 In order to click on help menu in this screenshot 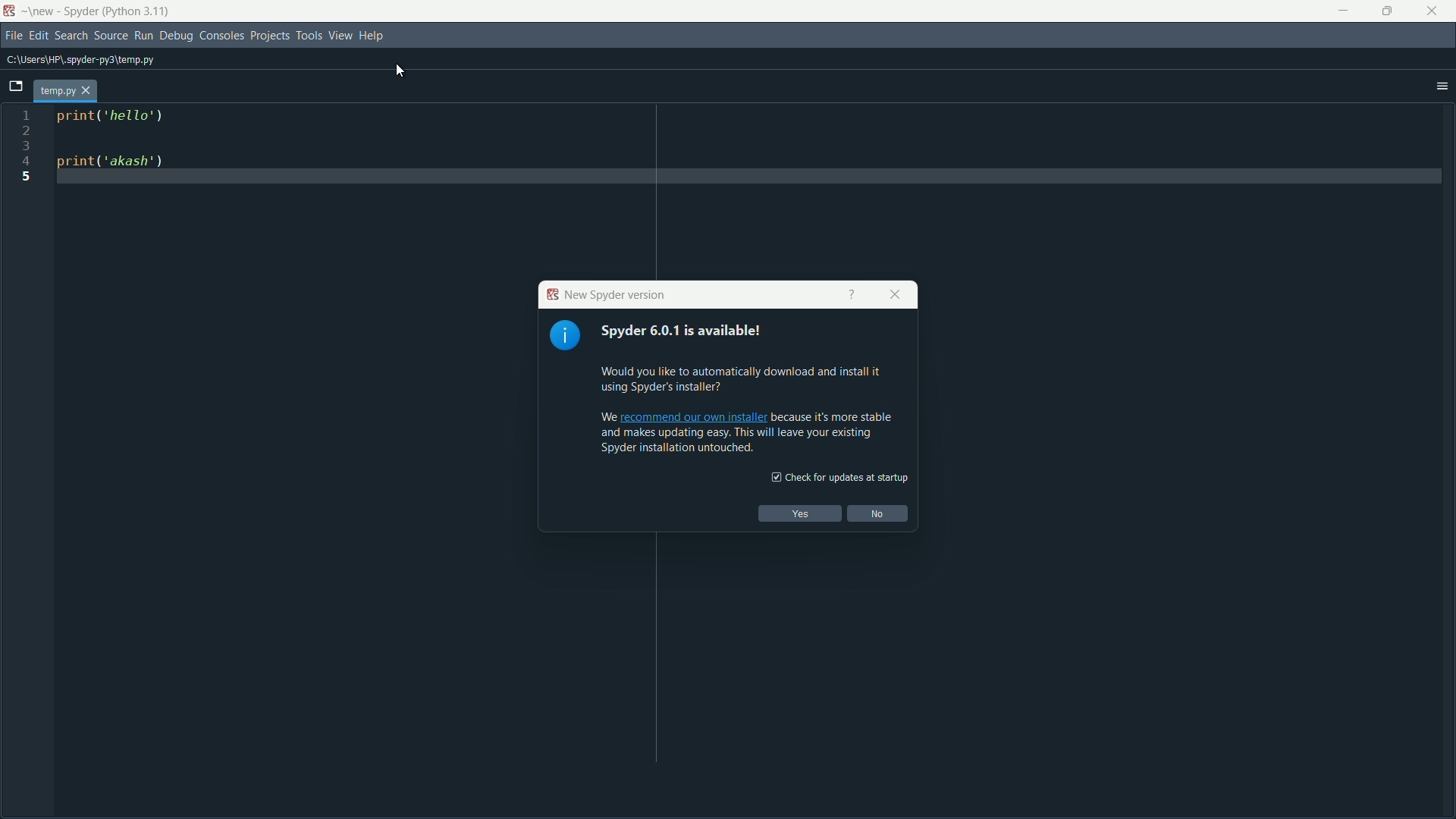, I will do `click(370, 37)`.